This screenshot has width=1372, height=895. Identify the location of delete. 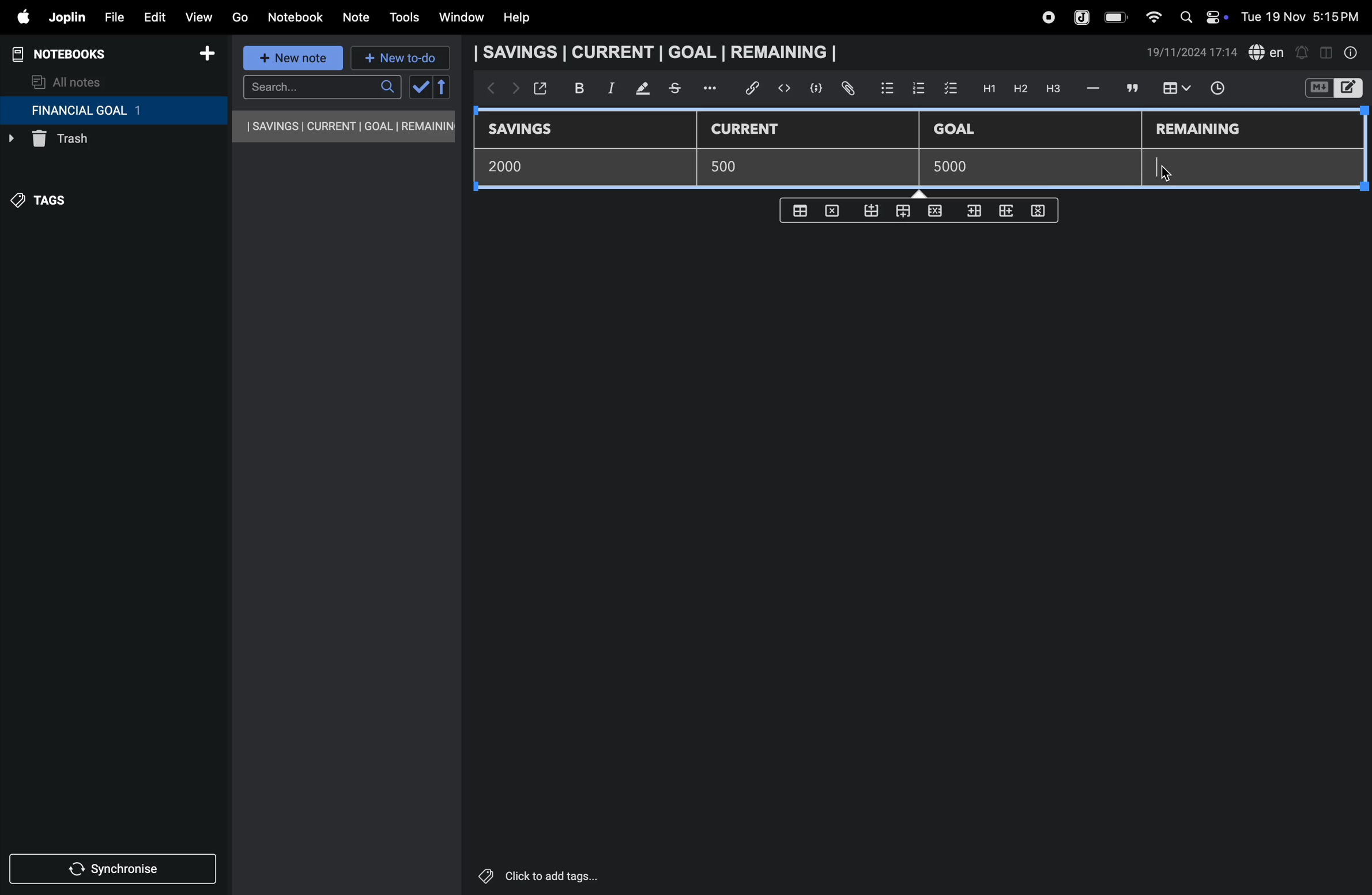
(835, 210).